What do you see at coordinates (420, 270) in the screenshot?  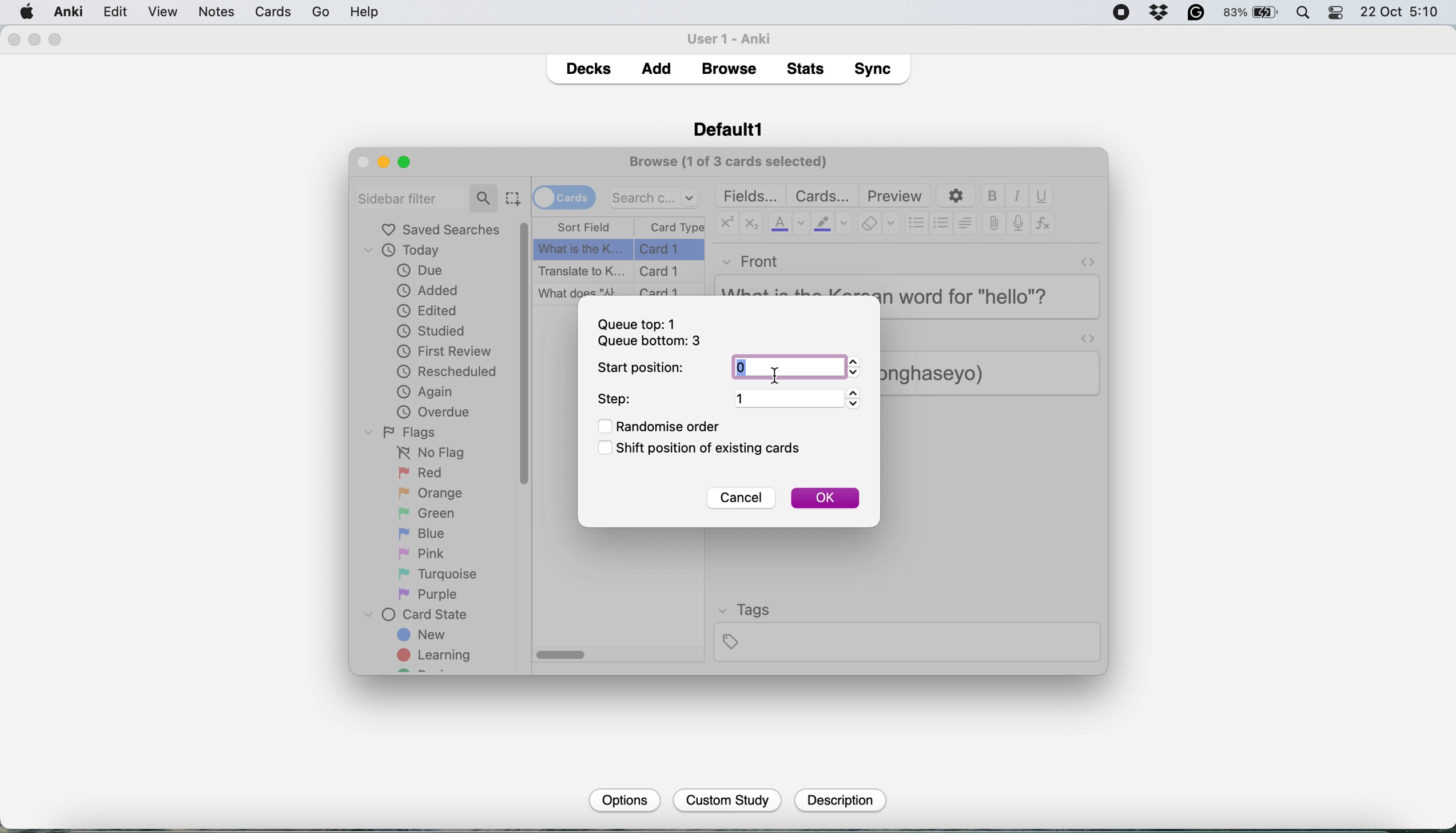 I see `due` at bounding box center [420, 270].